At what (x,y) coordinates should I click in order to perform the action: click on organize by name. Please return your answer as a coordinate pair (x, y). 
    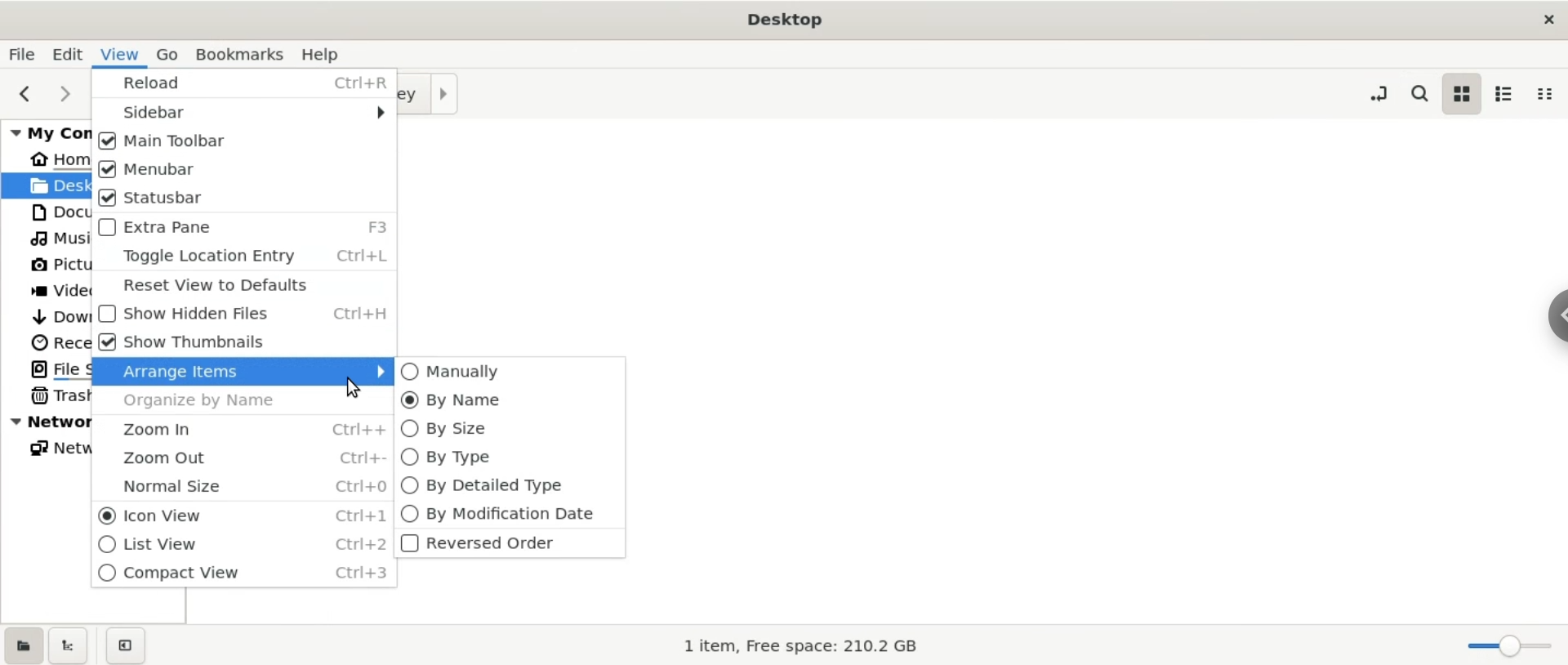
    Looking at the image, I should click on (243, 401).